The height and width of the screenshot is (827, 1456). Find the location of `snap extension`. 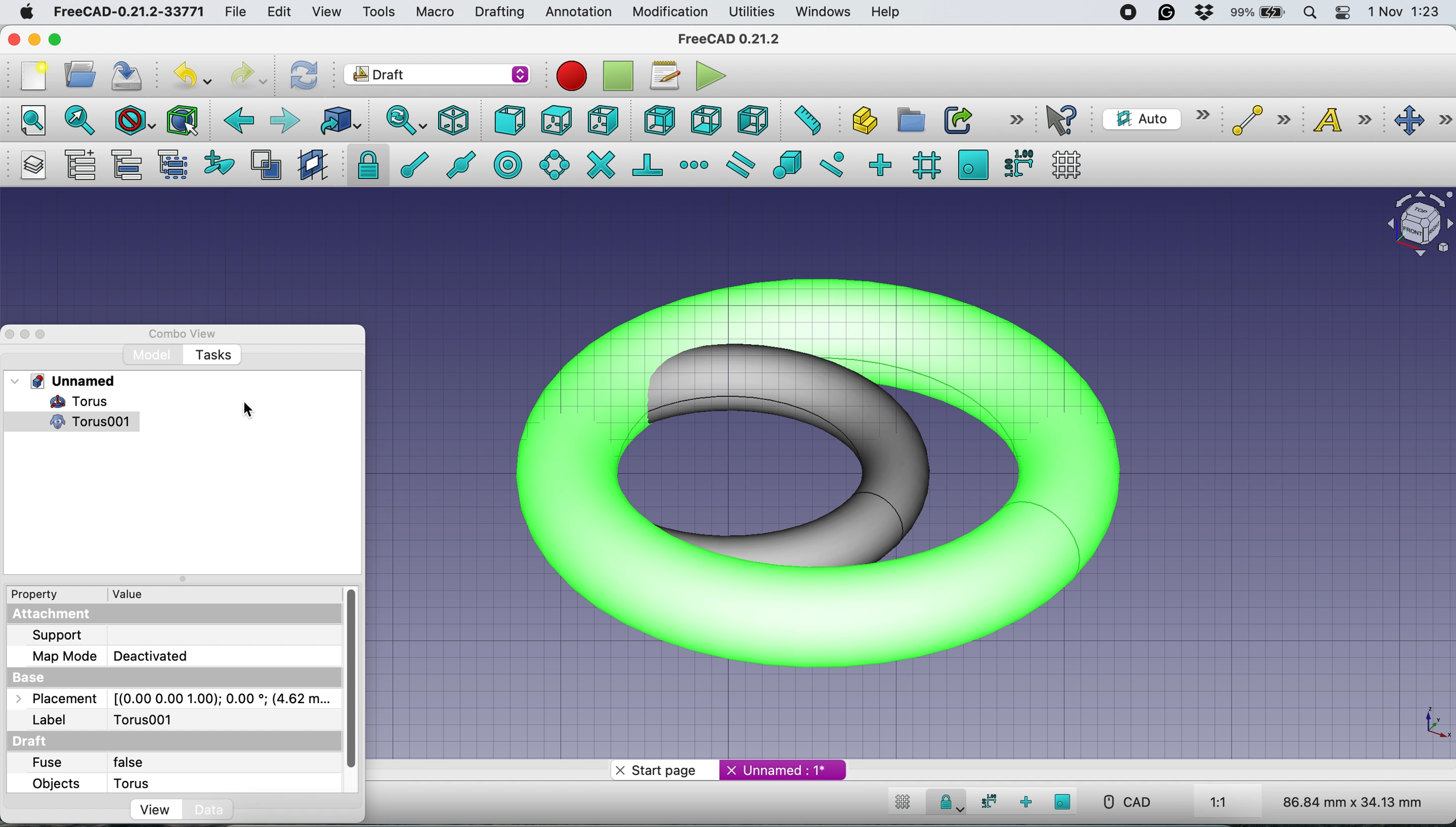

snap extension is located at coordinates (694, 164).